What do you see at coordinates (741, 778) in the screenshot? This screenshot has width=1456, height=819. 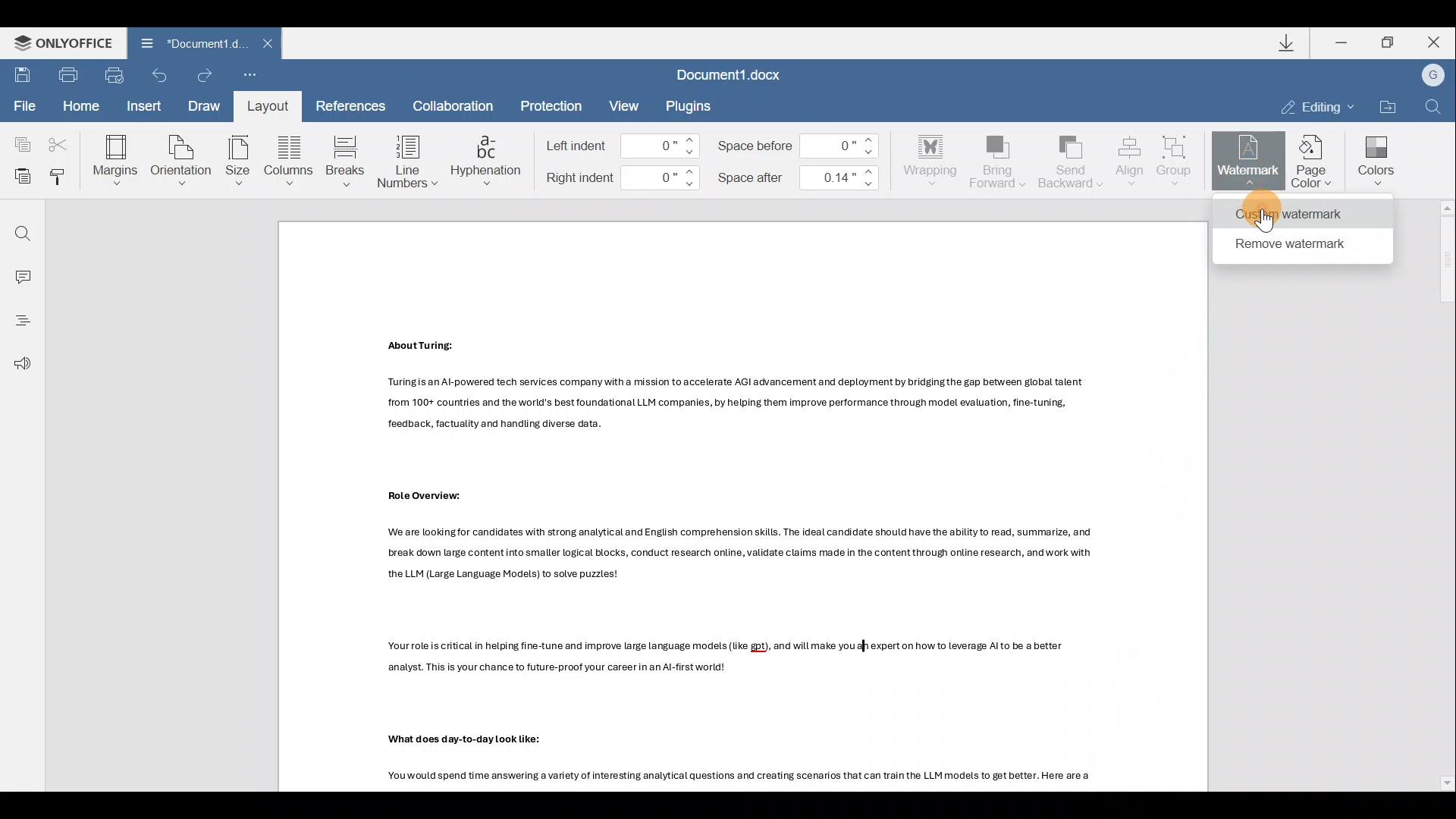 I see `` at bounding box center [741, 778].